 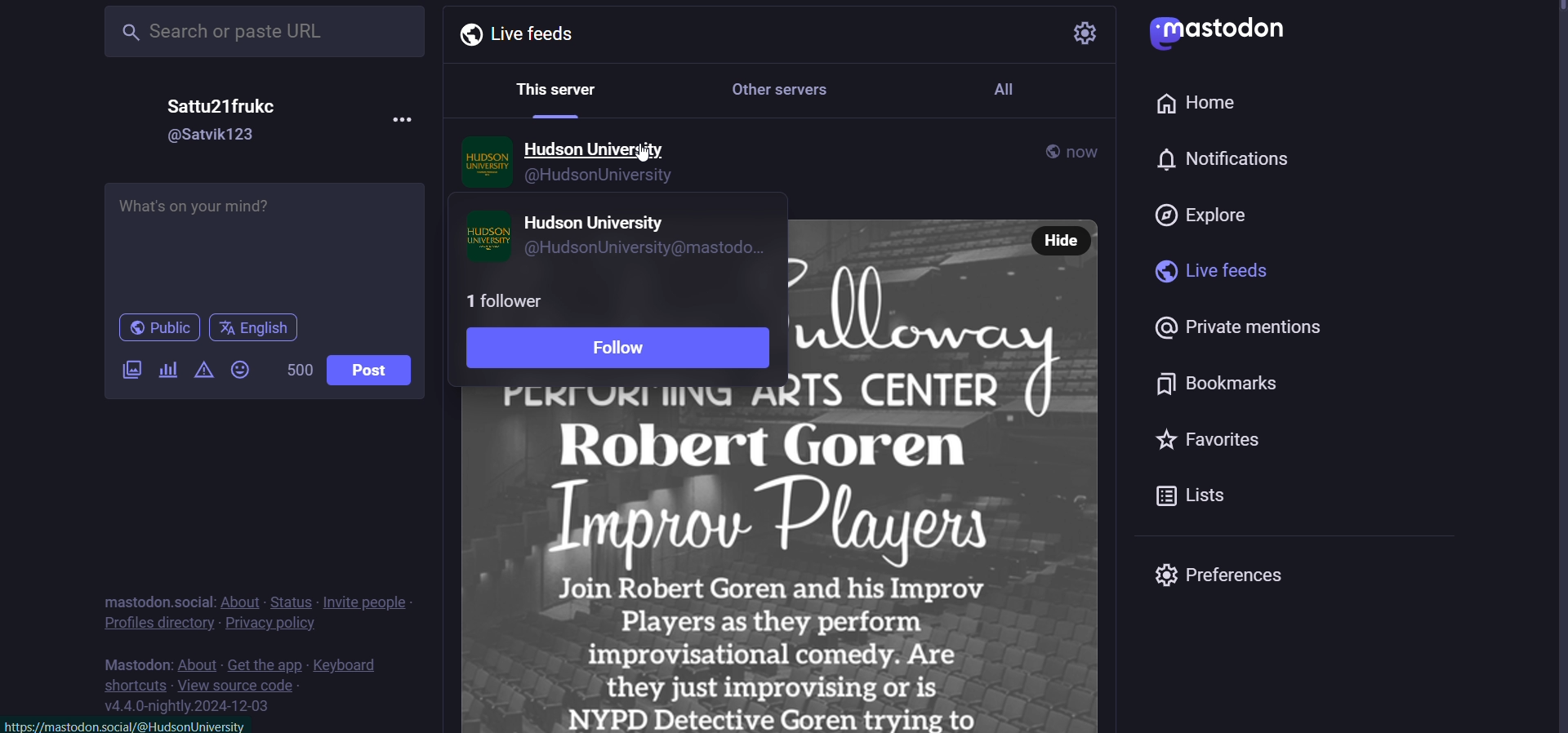 I want to click on lists, so click(x=1199, y=495).